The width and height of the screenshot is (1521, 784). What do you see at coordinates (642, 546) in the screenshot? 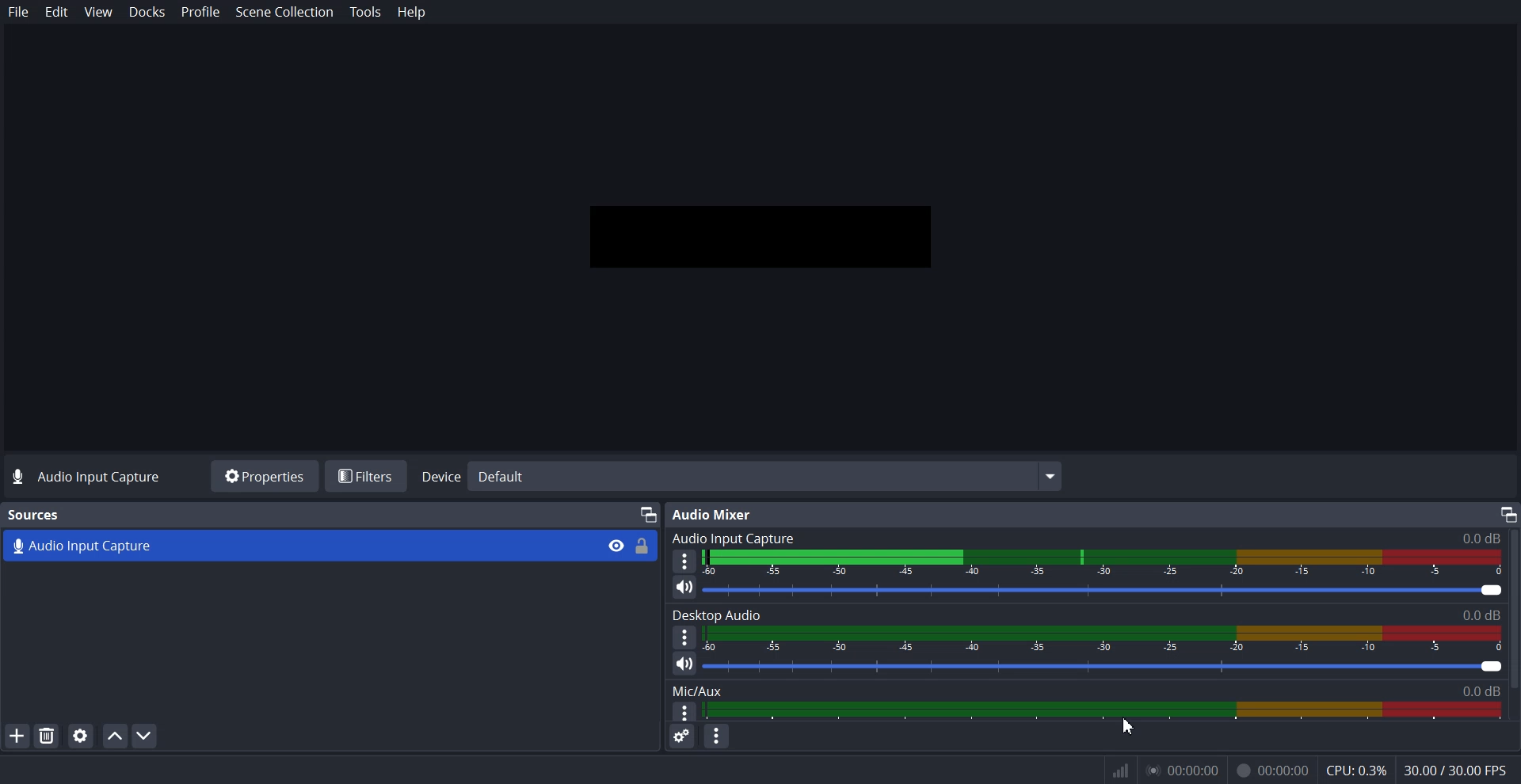
I see `Lock` at bounding box center [642, 546].